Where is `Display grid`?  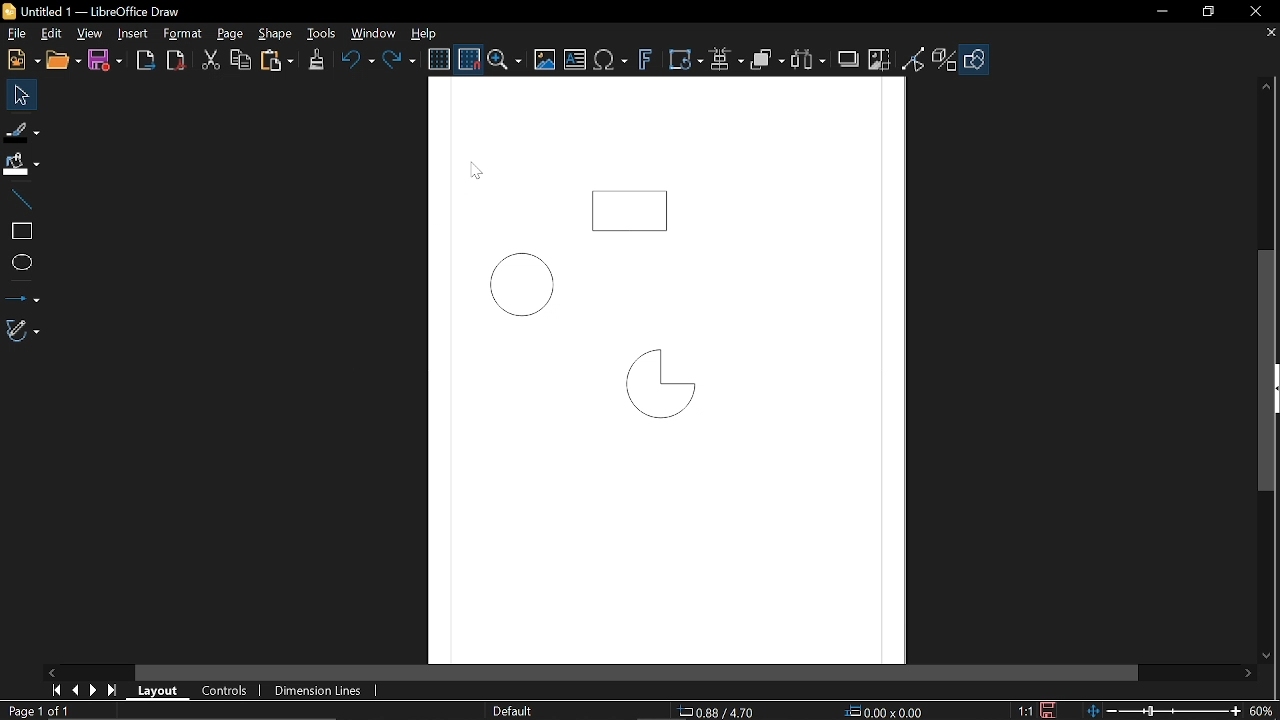
Display grid is located at coordinates (438, 59).